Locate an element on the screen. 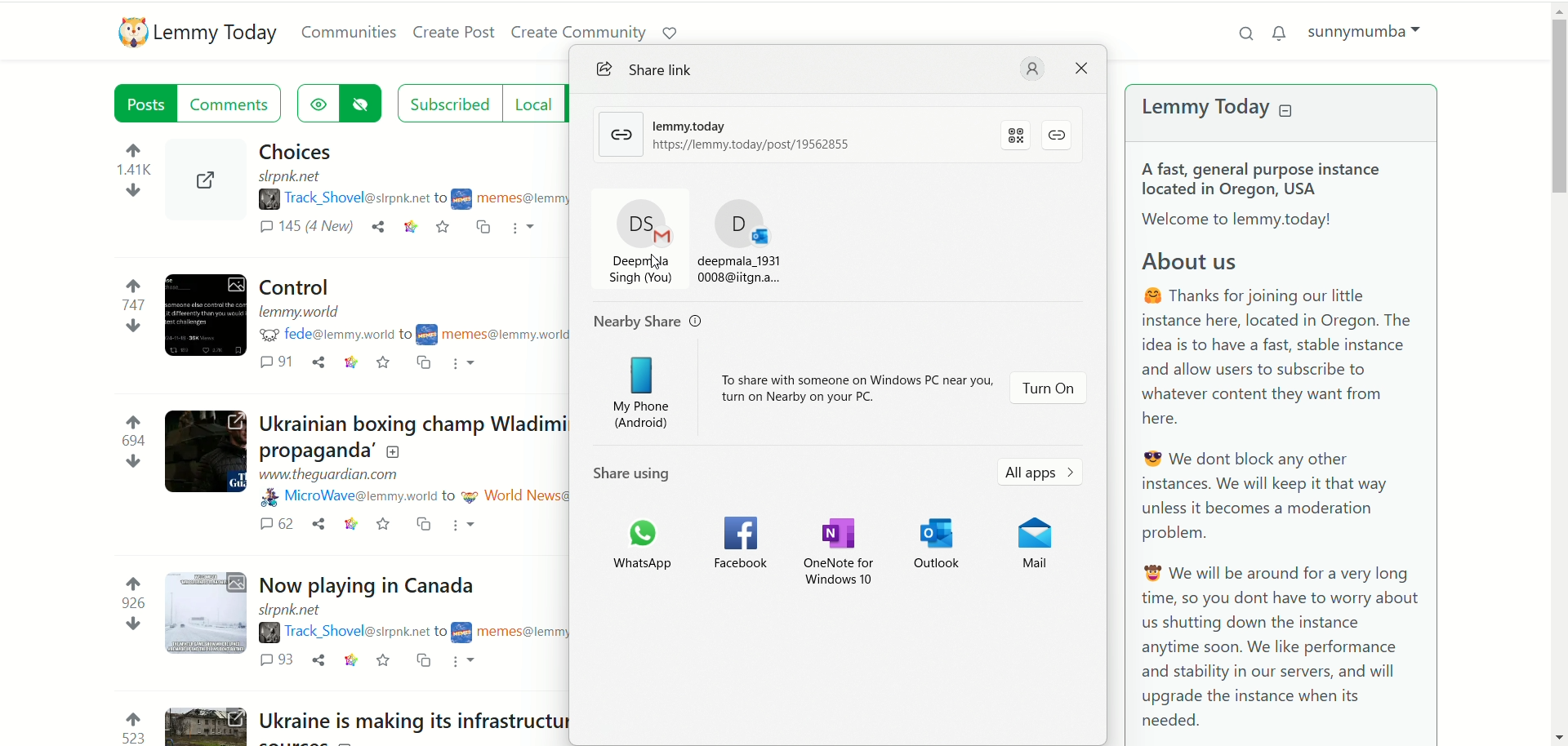 The image size is (1568, 746). Post on "Ukrainian boxing champ Wladimir Klitschko calls out Rogan for ‘repeating Russian propaganda’" is located at coordinates (413, 437).